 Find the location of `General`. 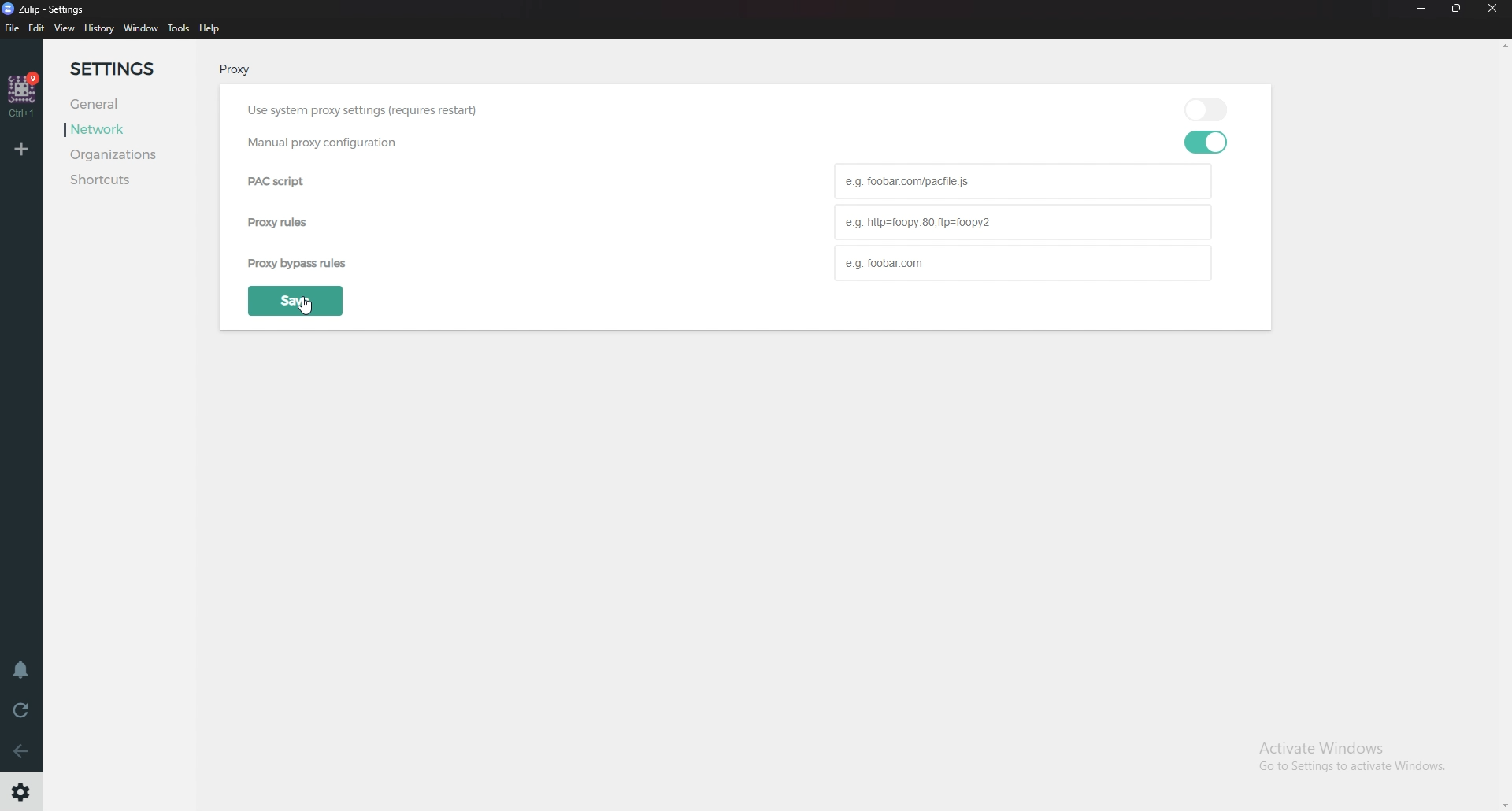

General is located at coordinates (106, 105).